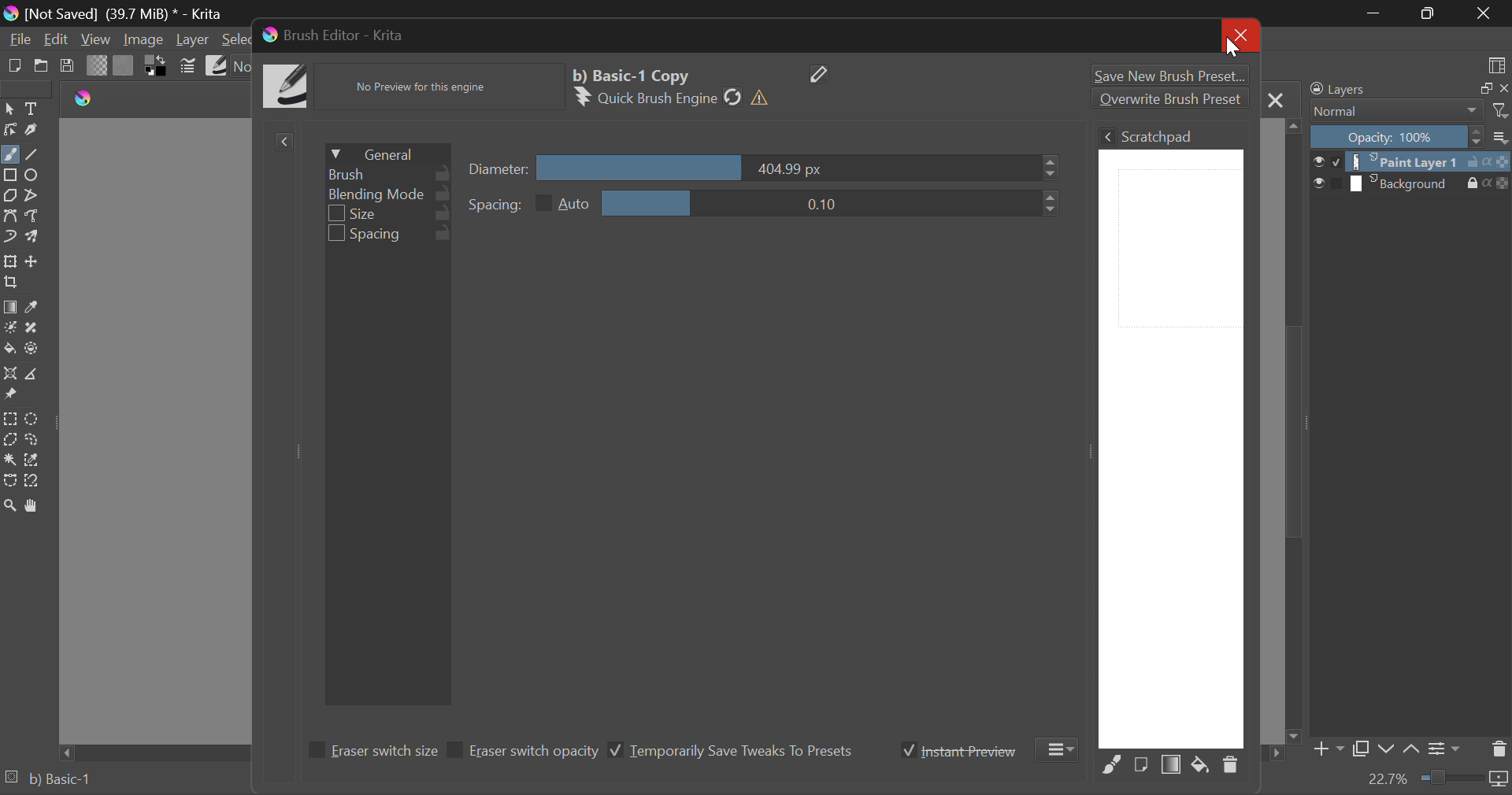 The width and height of the screenshot is (1512, 795). What do you see at coordinates (9, 482) in the screenshot?
I see `Bezier Curve` at bounding box center [9, 482].